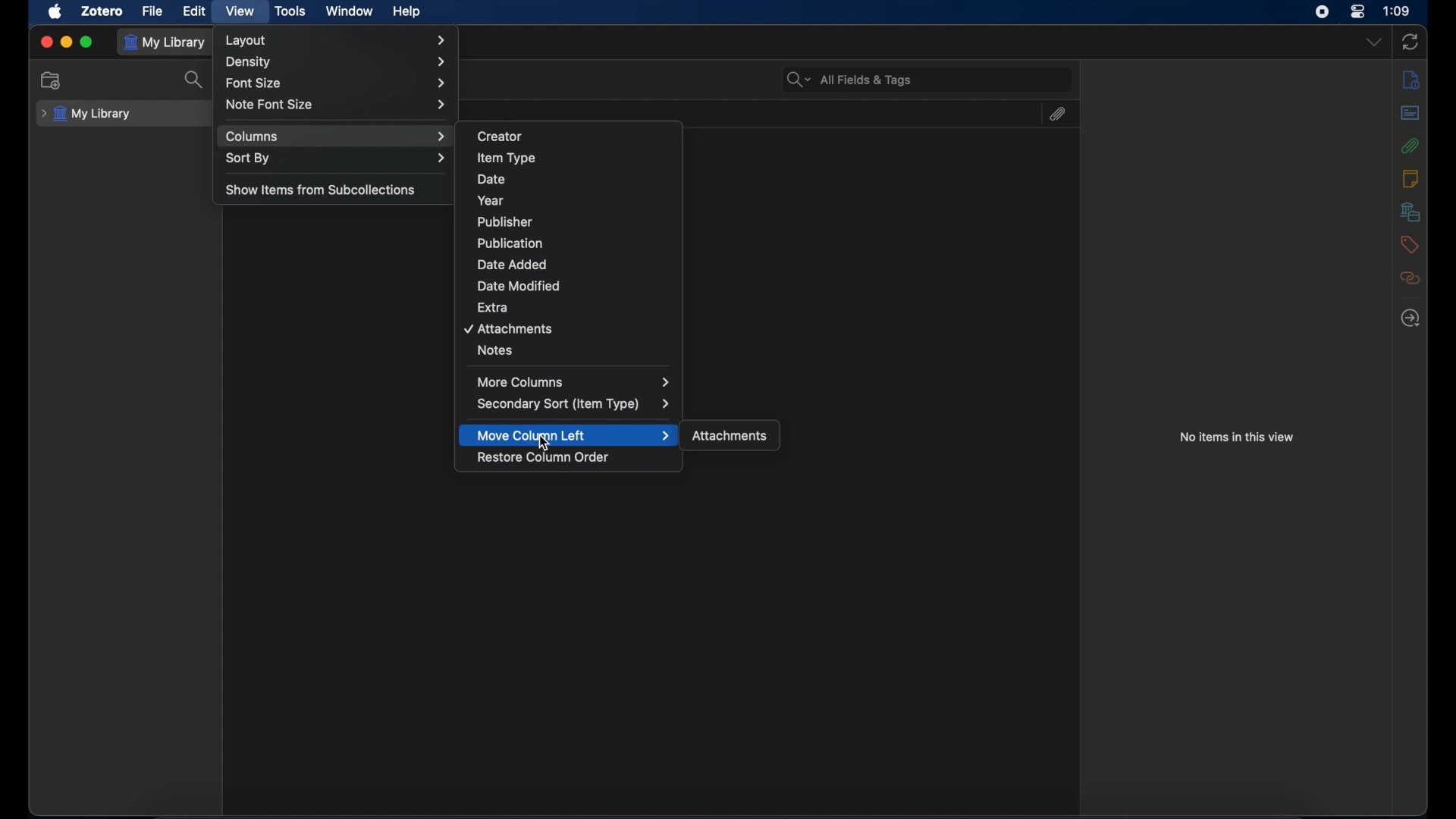  I want to click on notes, so click(495, 350).